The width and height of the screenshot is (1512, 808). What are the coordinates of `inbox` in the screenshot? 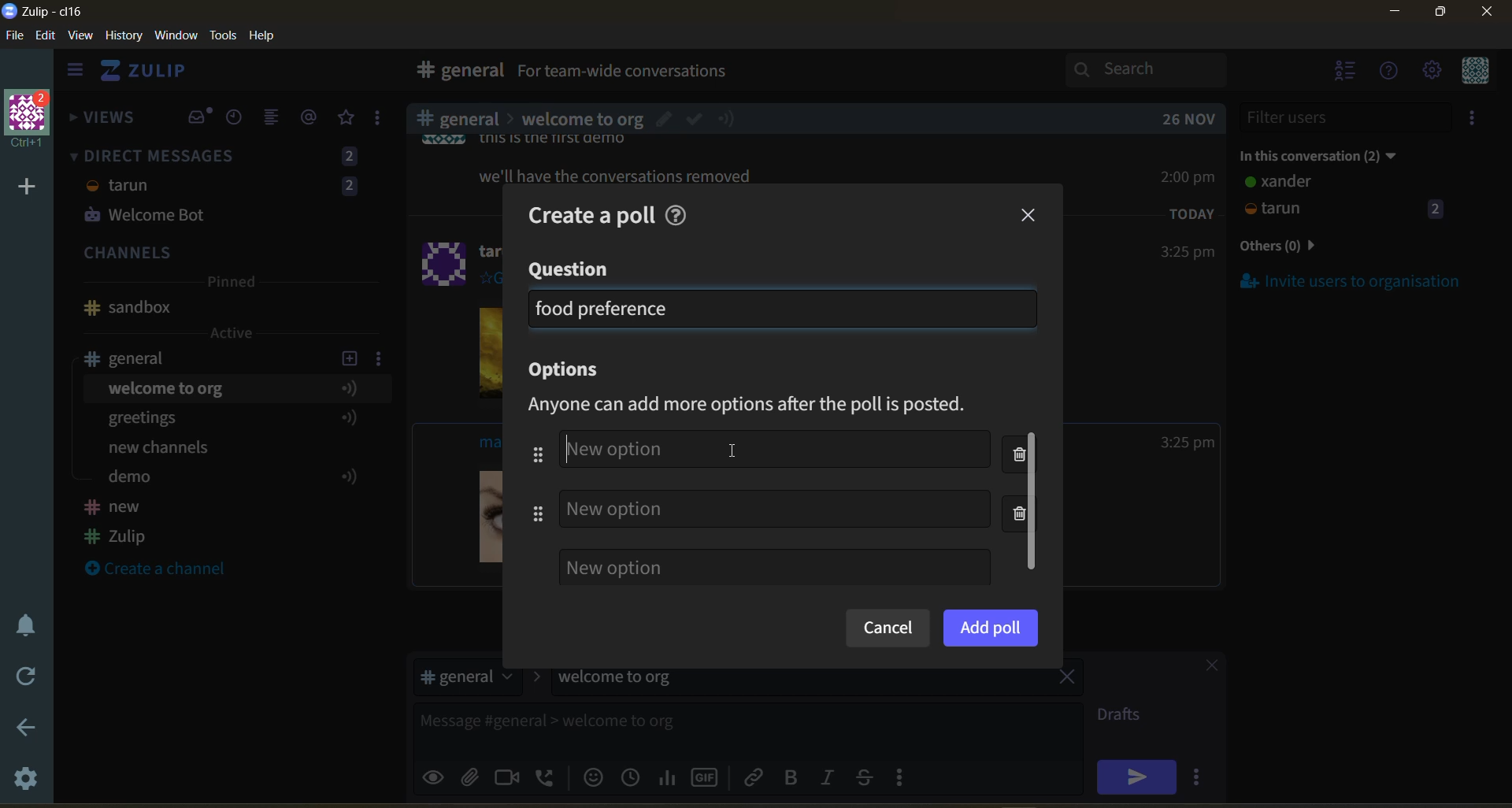 It's located at (456, 72).